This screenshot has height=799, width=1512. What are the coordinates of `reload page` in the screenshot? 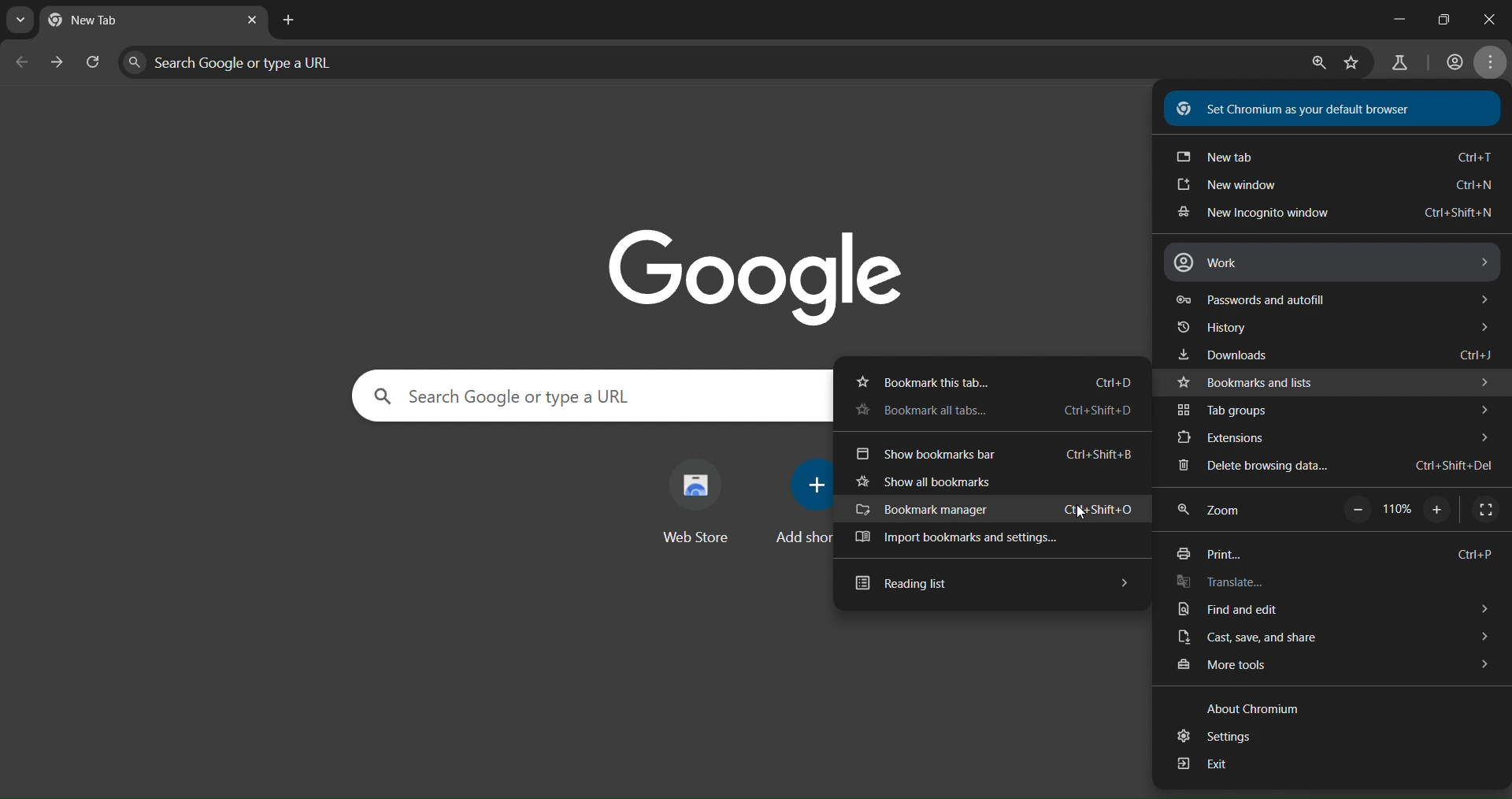 It's located at (95, 65).